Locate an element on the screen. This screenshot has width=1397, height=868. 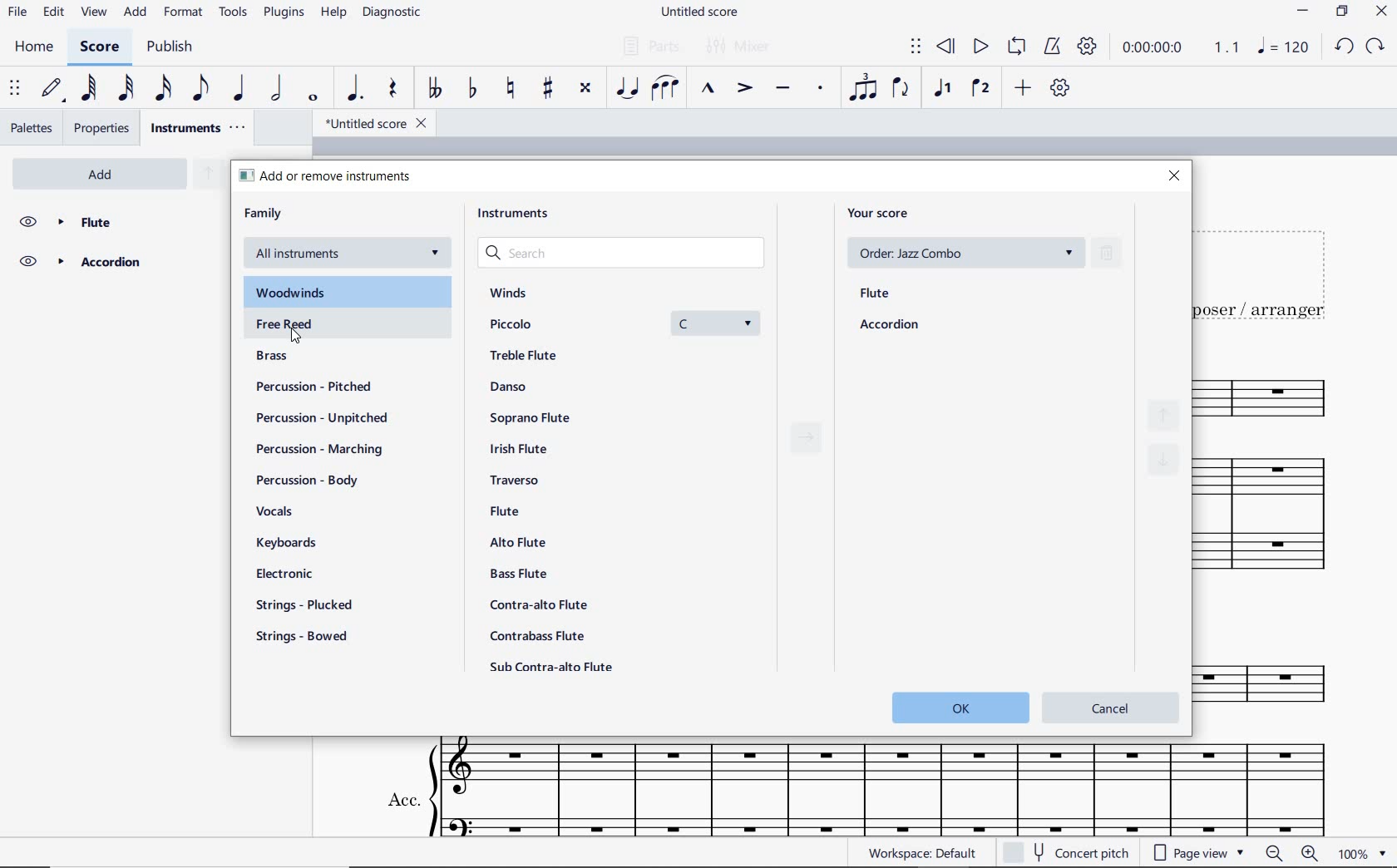
free reed is located at coordinates (289, 323).